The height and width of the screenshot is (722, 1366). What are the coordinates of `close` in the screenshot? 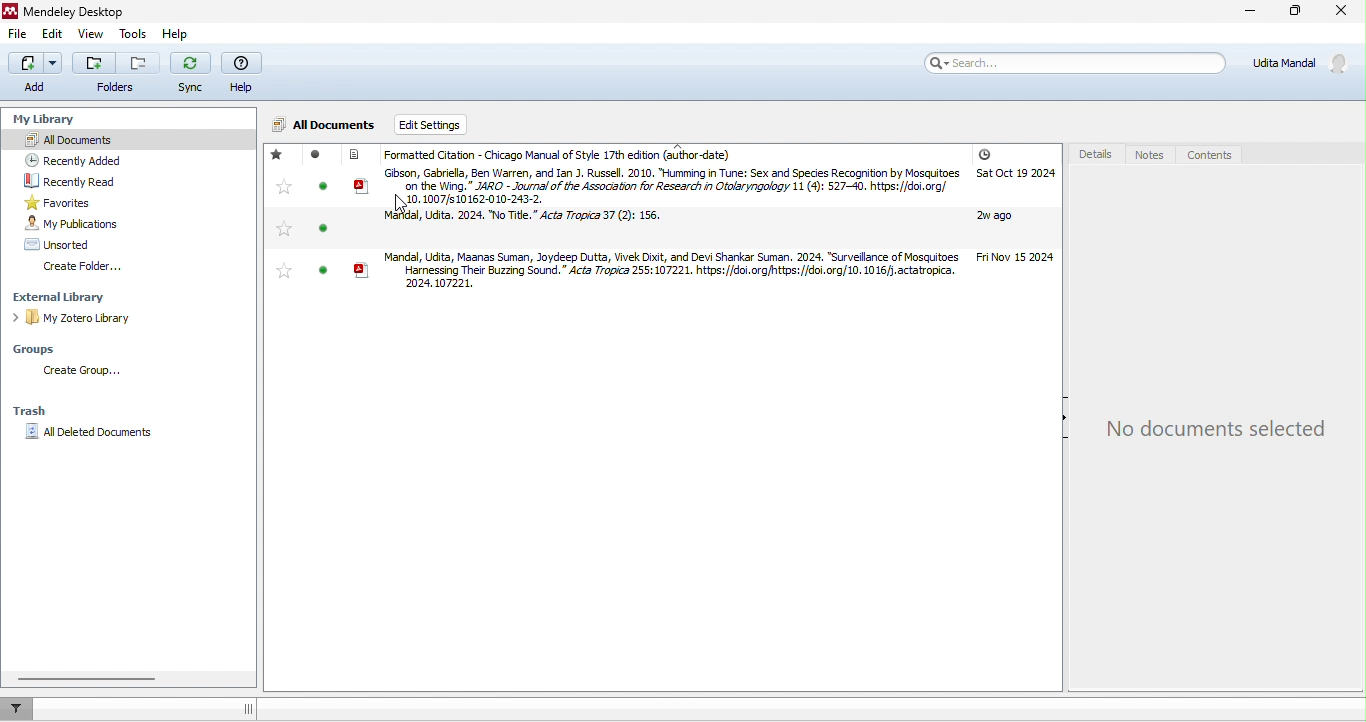 It's located at (1339, 13).